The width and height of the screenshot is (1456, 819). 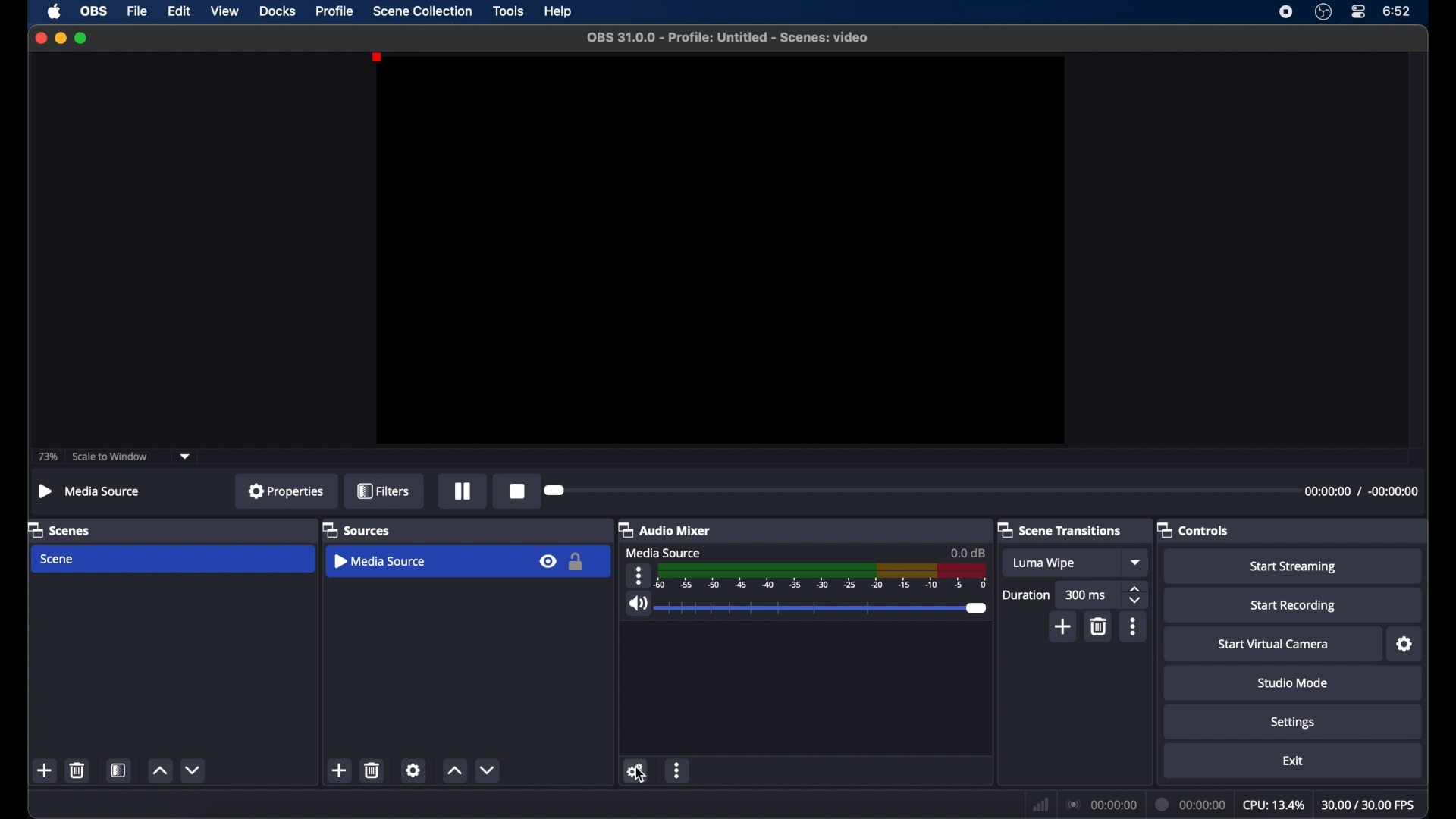 What do you see at coordinates (1134, 627) in the screenshot?
I see `more options` at bounding box center [1134, 627].